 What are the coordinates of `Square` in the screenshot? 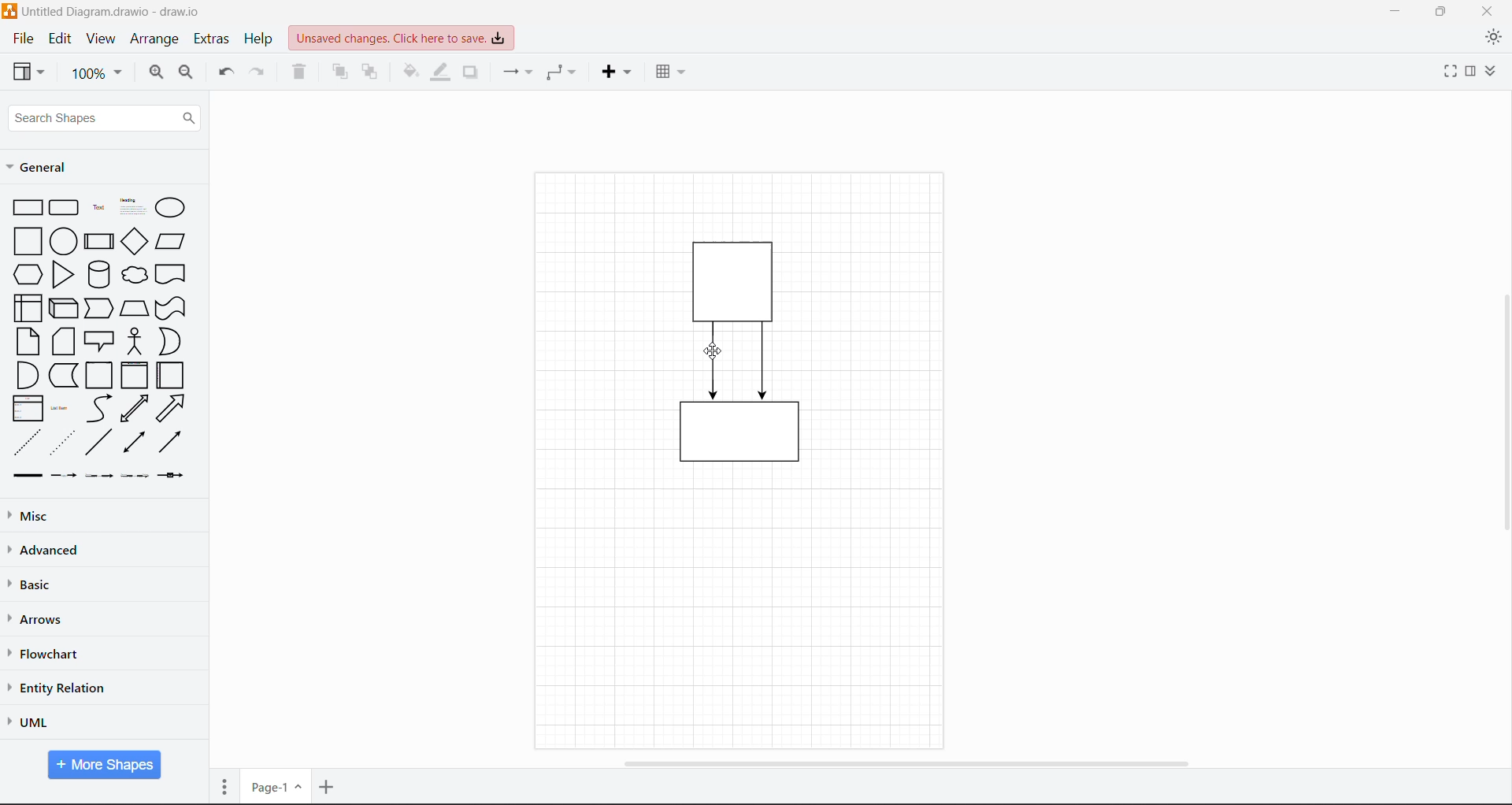 It's located at (26, 240).